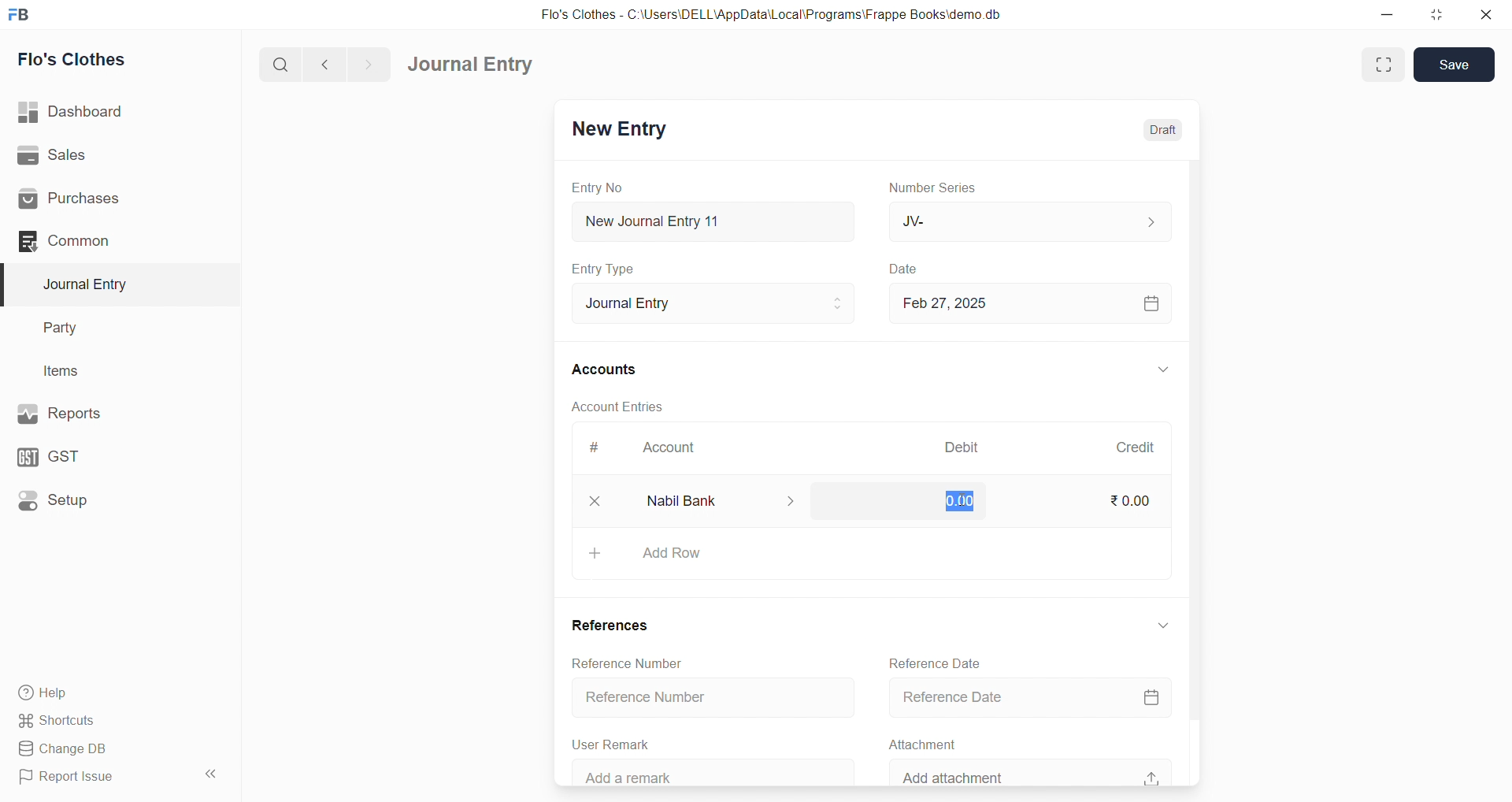 Image resolution: width=1512 pixels, height=802 pixels. I want to click on Flo's Clothes, so click(80, 59).